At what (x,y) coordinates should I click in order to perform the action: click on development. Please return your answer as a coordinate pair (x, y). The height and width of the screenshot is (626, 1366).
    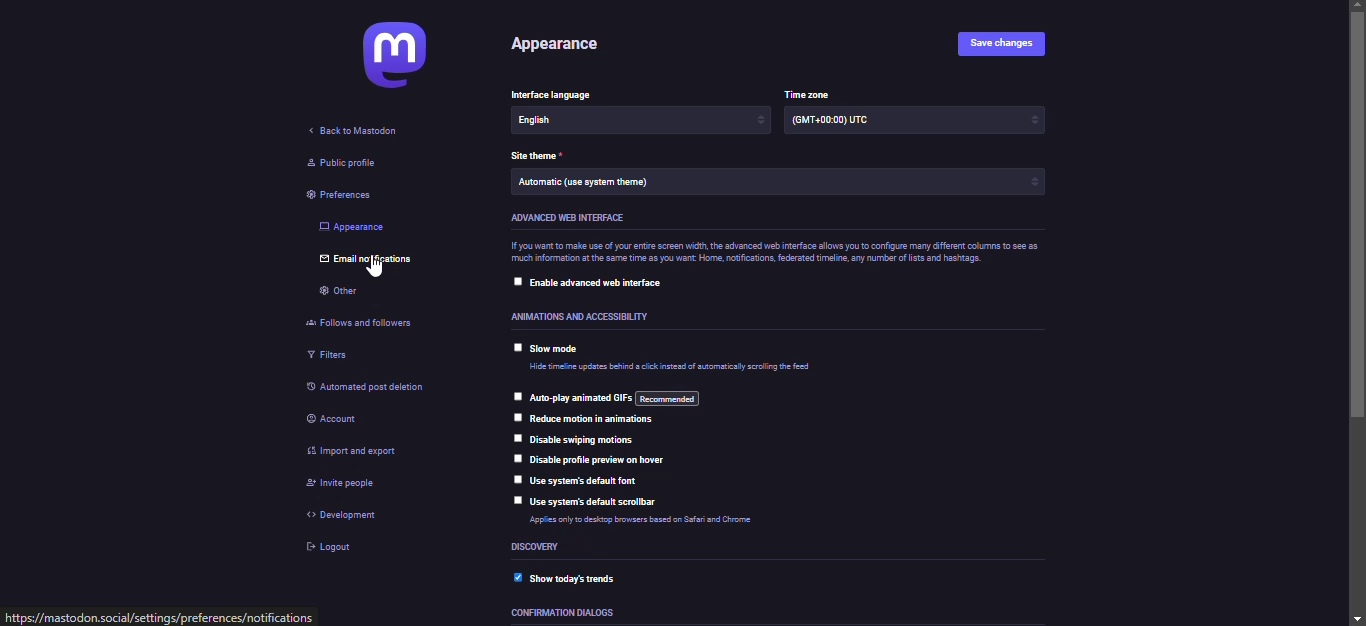
    Looking at the image, I should click on (337, 515).